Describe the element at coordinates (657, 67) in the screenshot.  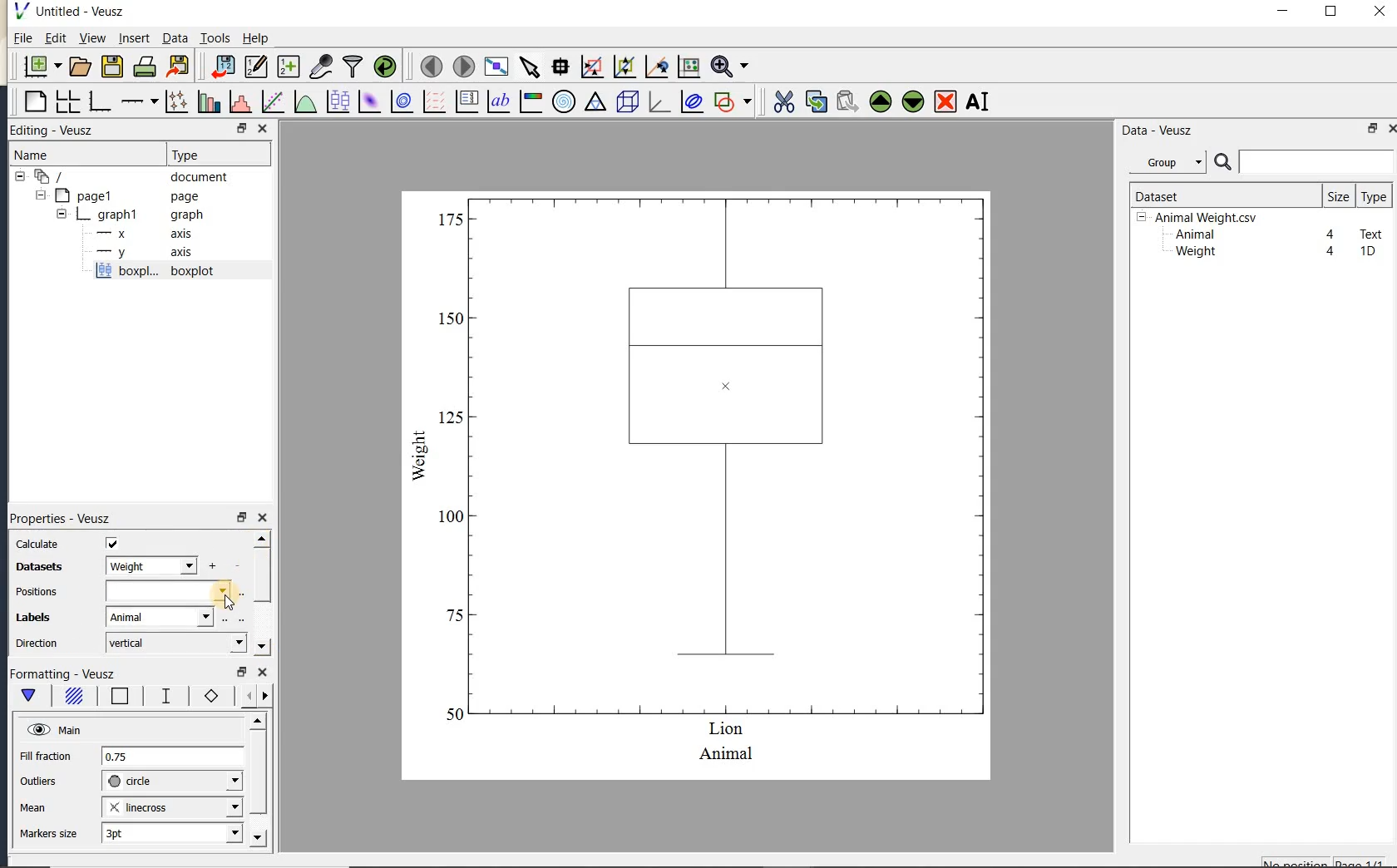
I see `click to recenter graph axes` at that location.